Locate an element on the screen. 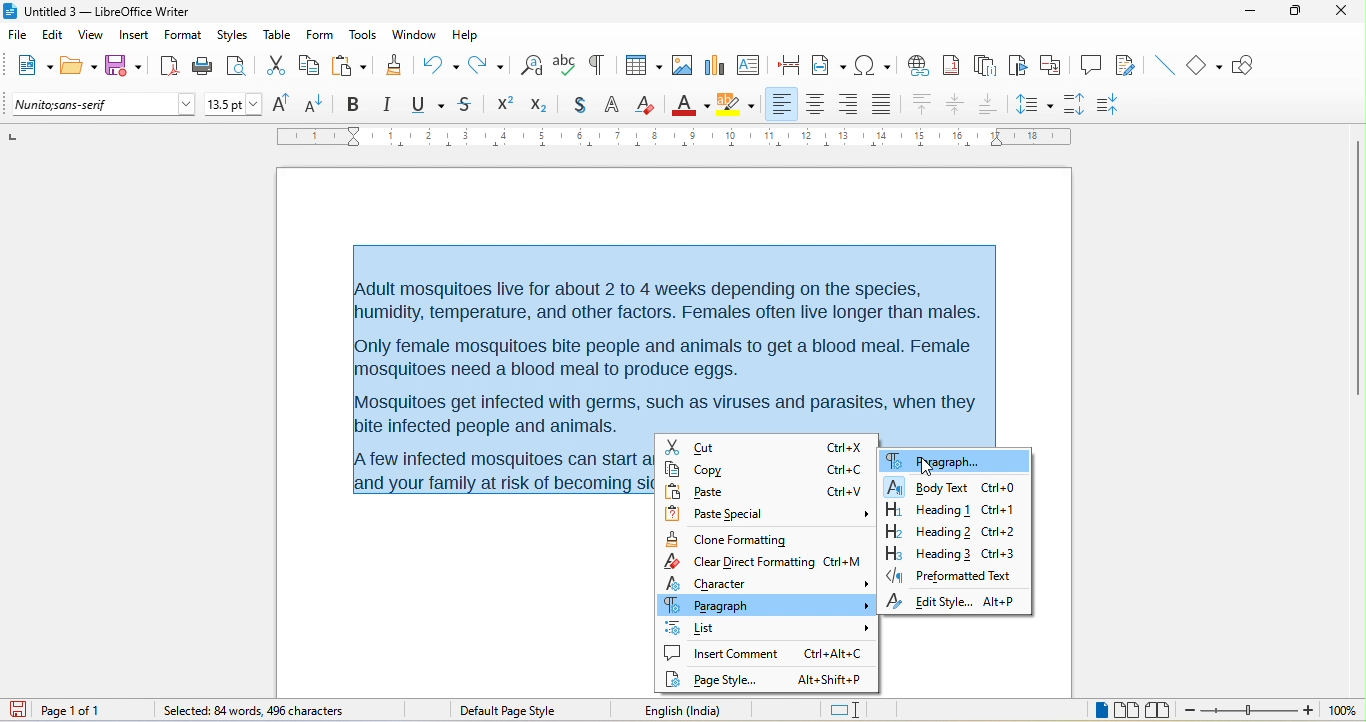  preformatted text is located at coordinates (949, 575).